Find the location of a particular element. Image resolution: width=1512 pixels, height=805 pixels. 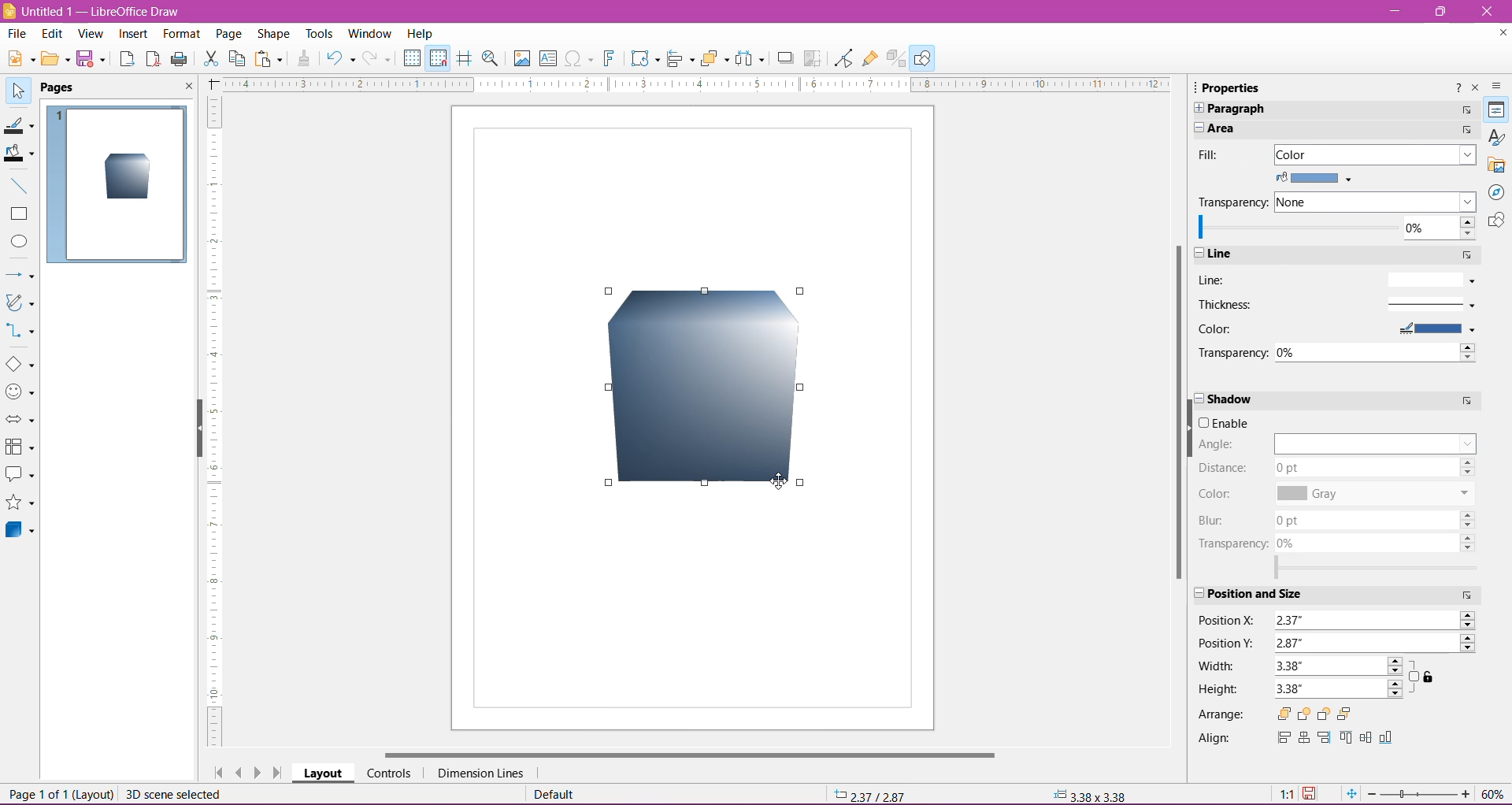

Send to Back is located at coordinates (1352, 714).